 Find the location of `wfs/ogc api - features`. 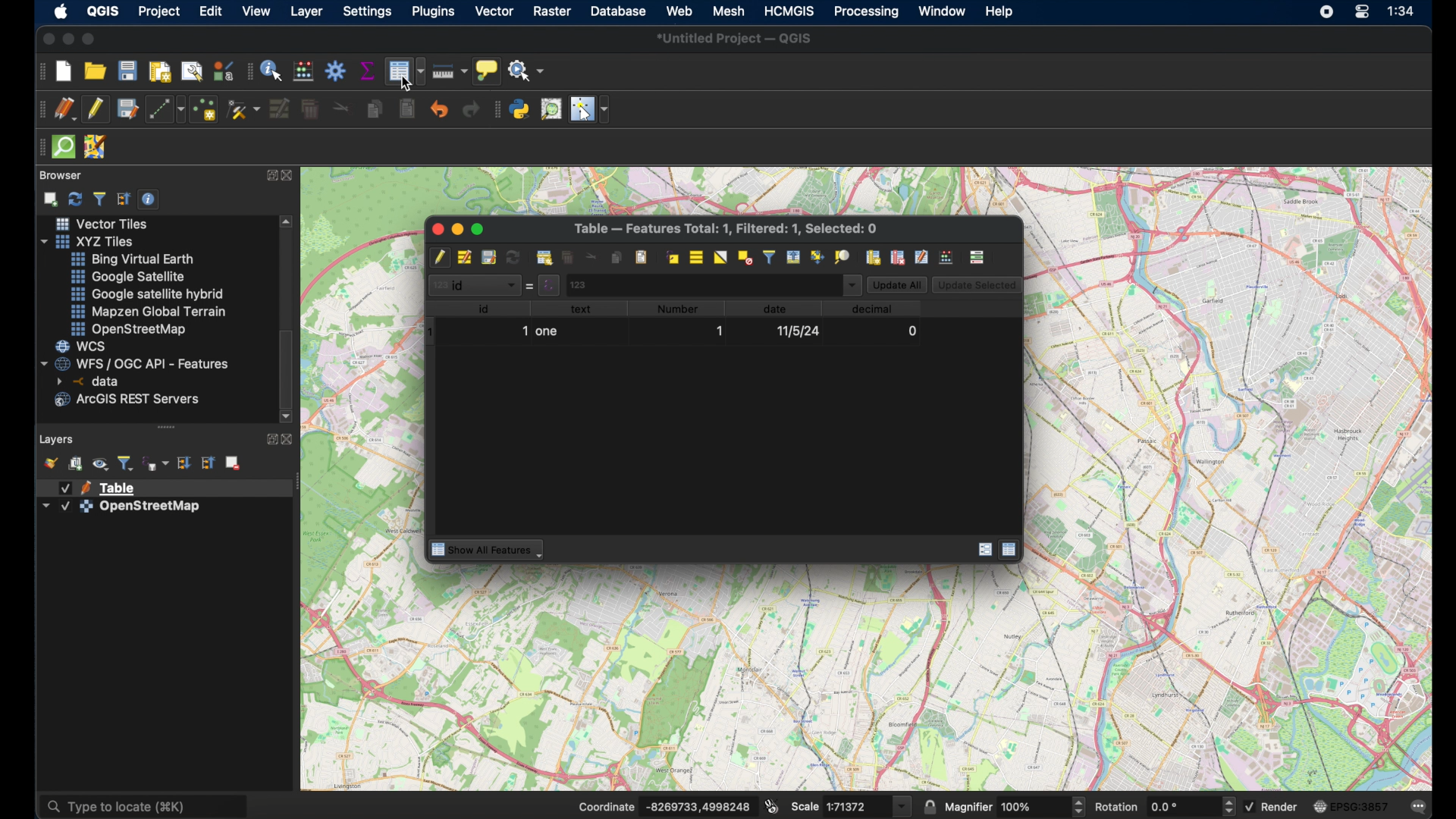

wfs/ogc api - features is located at coordinates (137, 363).